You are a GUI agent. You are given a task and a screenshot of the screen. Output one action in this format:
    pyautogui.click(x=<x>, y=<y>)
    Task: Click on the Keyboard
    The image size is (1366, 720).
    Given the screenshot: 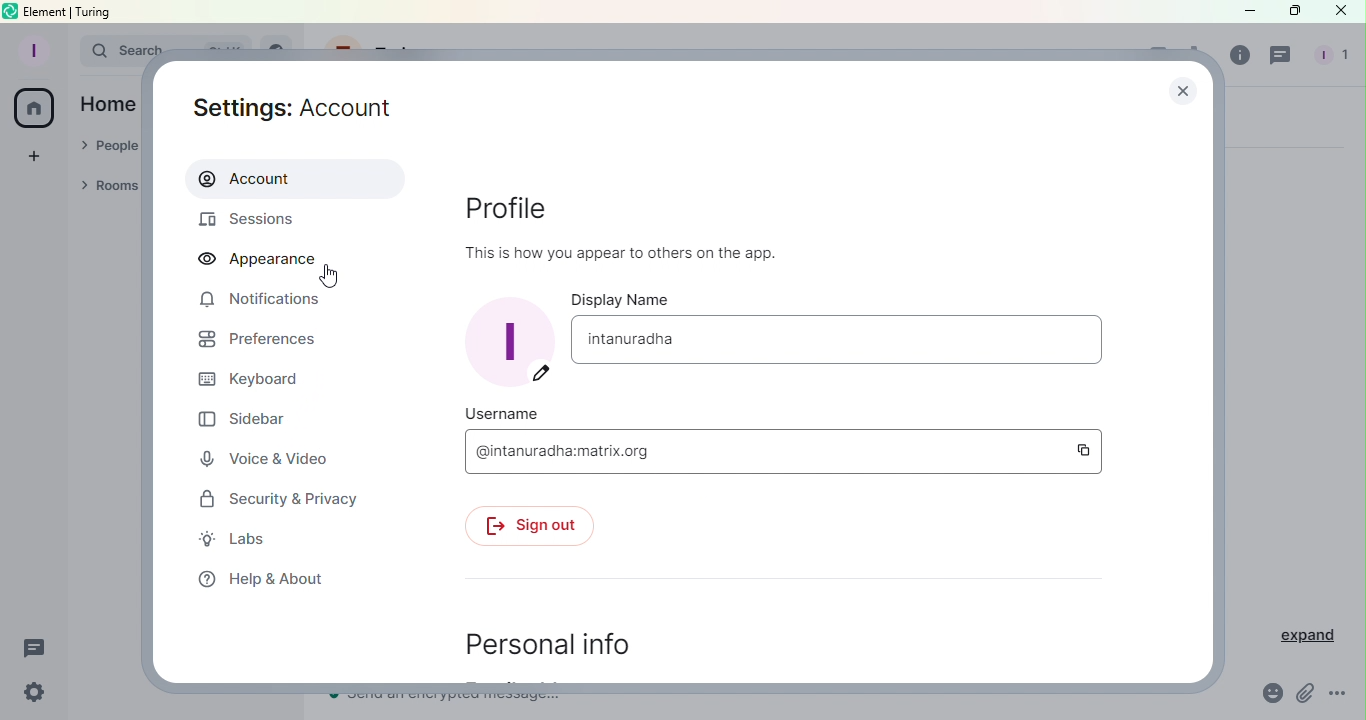 What is the action you would take?
    pyautogui.click(x=248, y=381)
    